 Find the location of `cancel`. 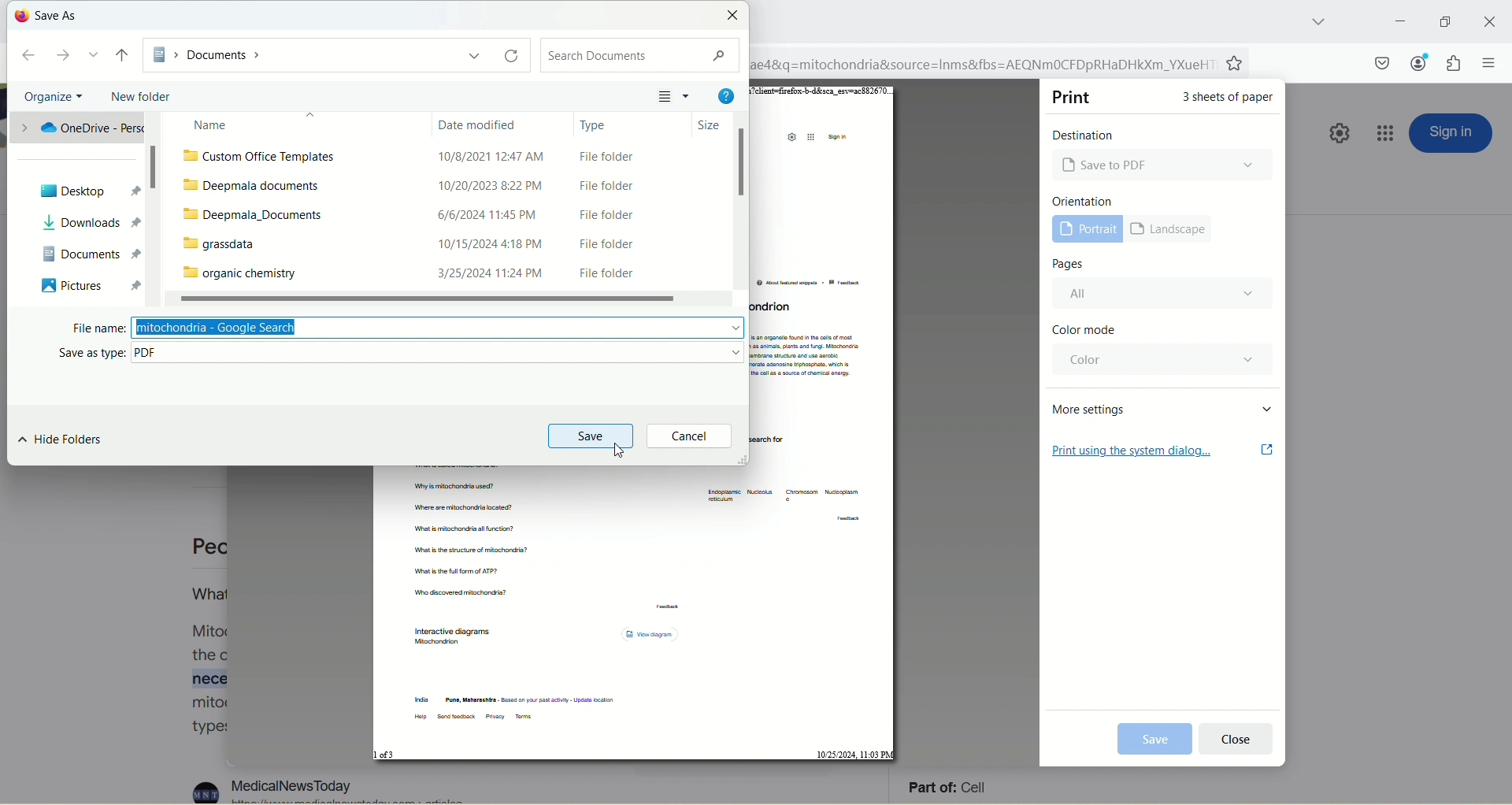

cancel is located at coordinates (1236, 740).